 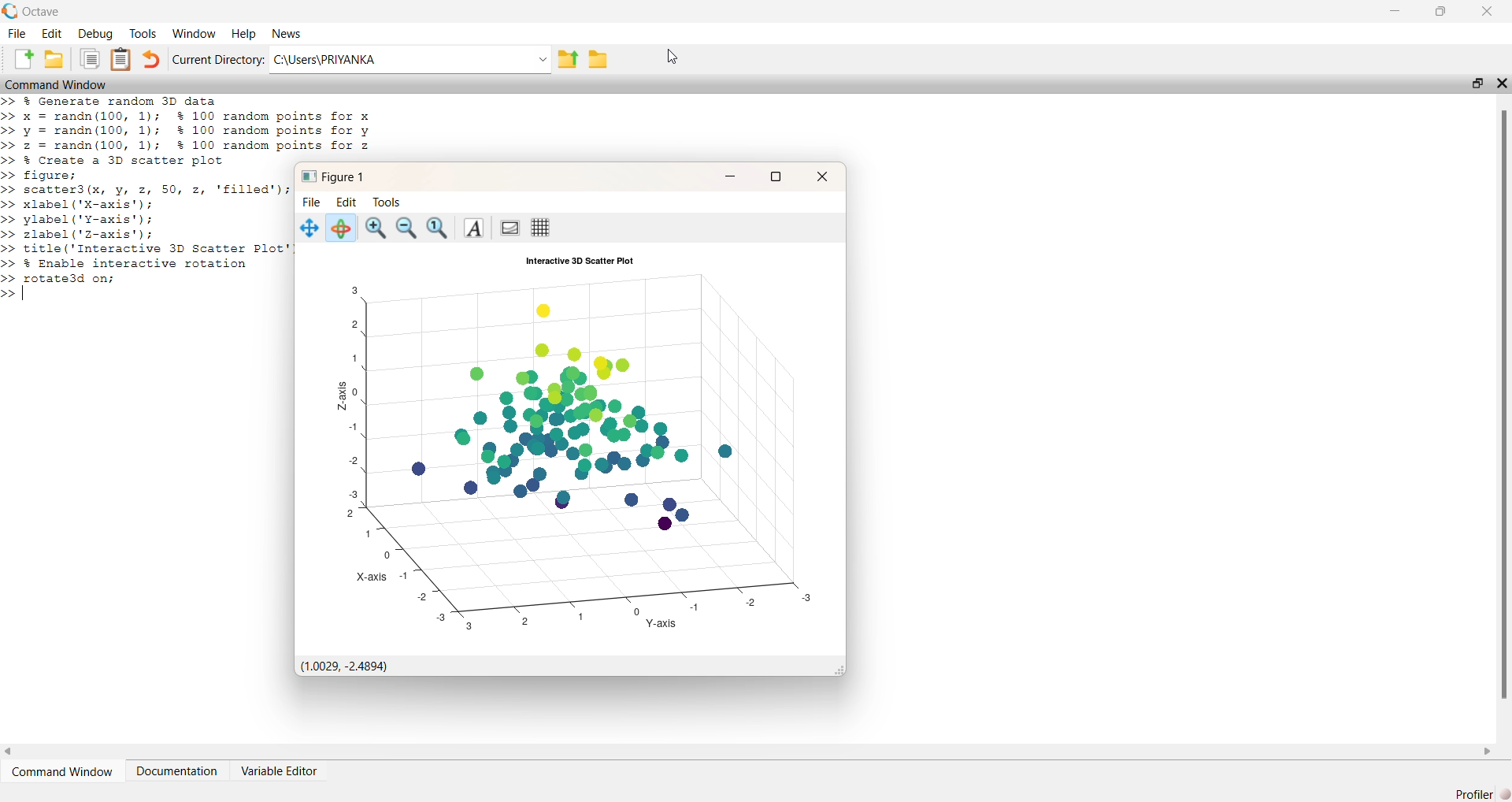 What do you see at coordinates (280, 770) in the screenshot?
I see `Variable Editor` at bounding box center [280, 770].